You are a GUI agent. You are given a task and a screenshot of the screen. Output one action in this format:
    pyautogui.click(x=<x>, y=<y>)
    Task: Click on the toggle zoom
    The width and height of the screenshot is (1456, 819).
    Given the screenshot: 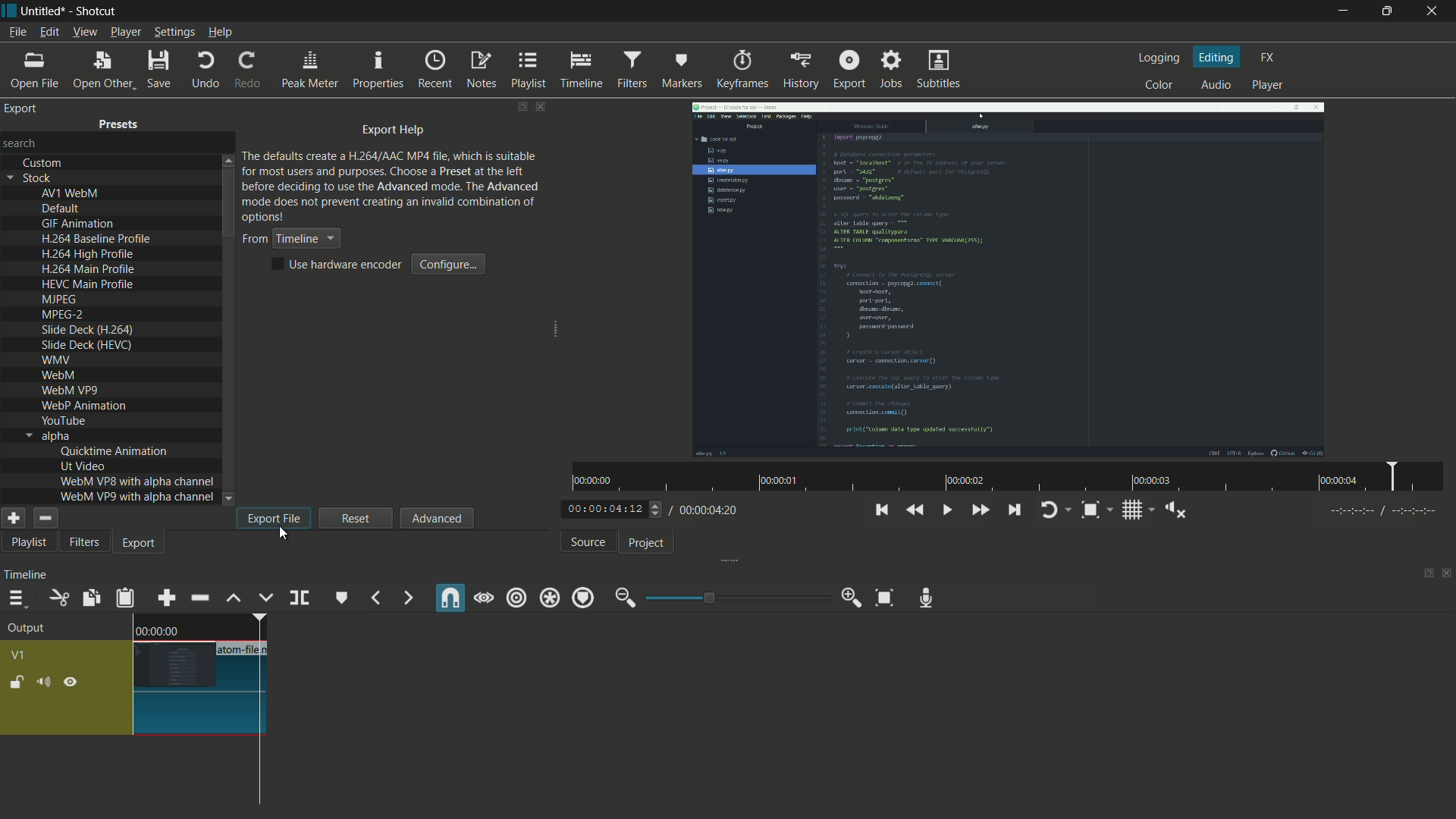 What is the action you would take?
    pyautogui.click(x=1090, y=510)
    